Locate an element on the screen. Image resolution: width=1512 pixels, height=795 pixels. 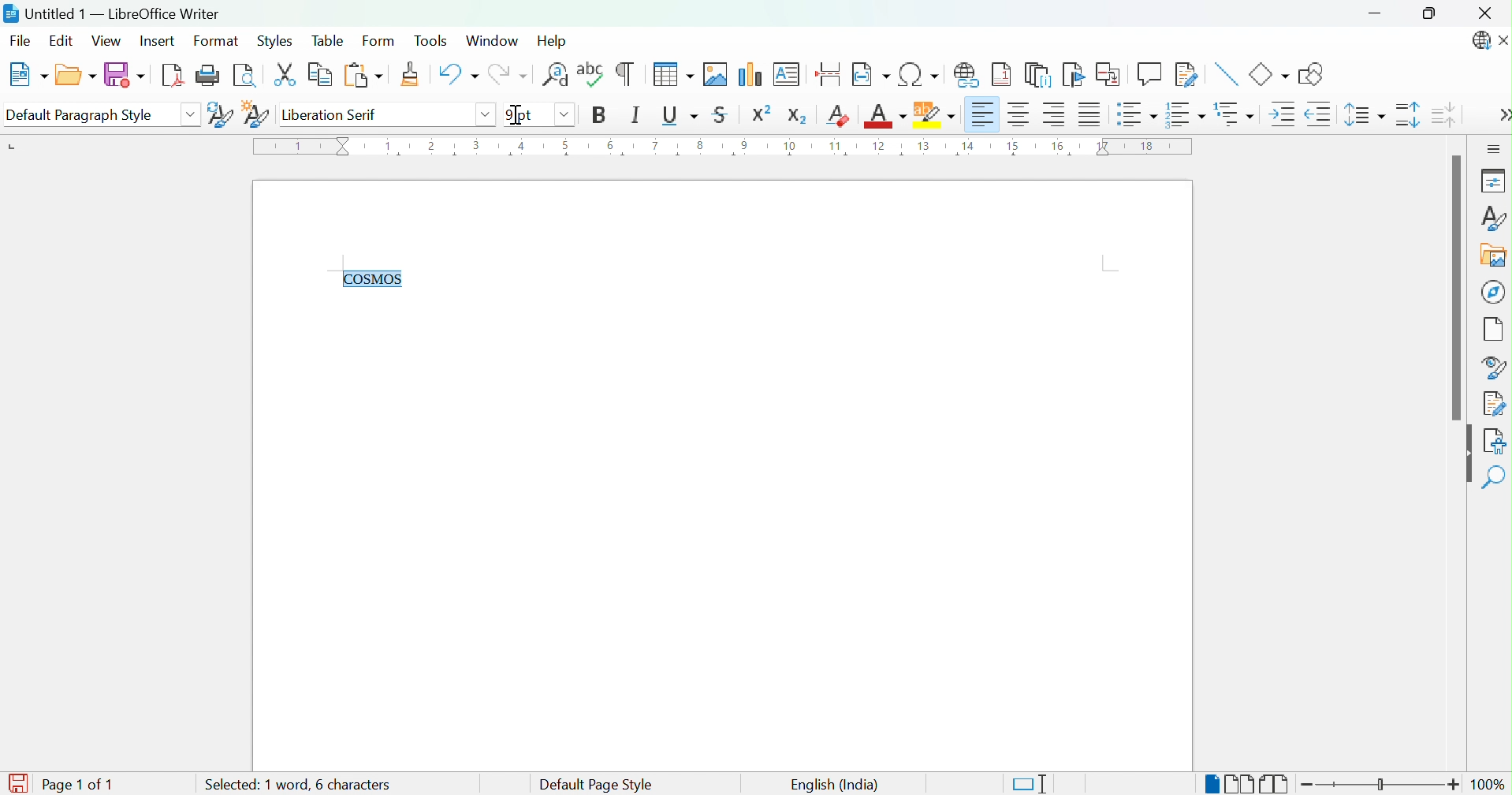
Font Color is located at coordinates (884, 117).